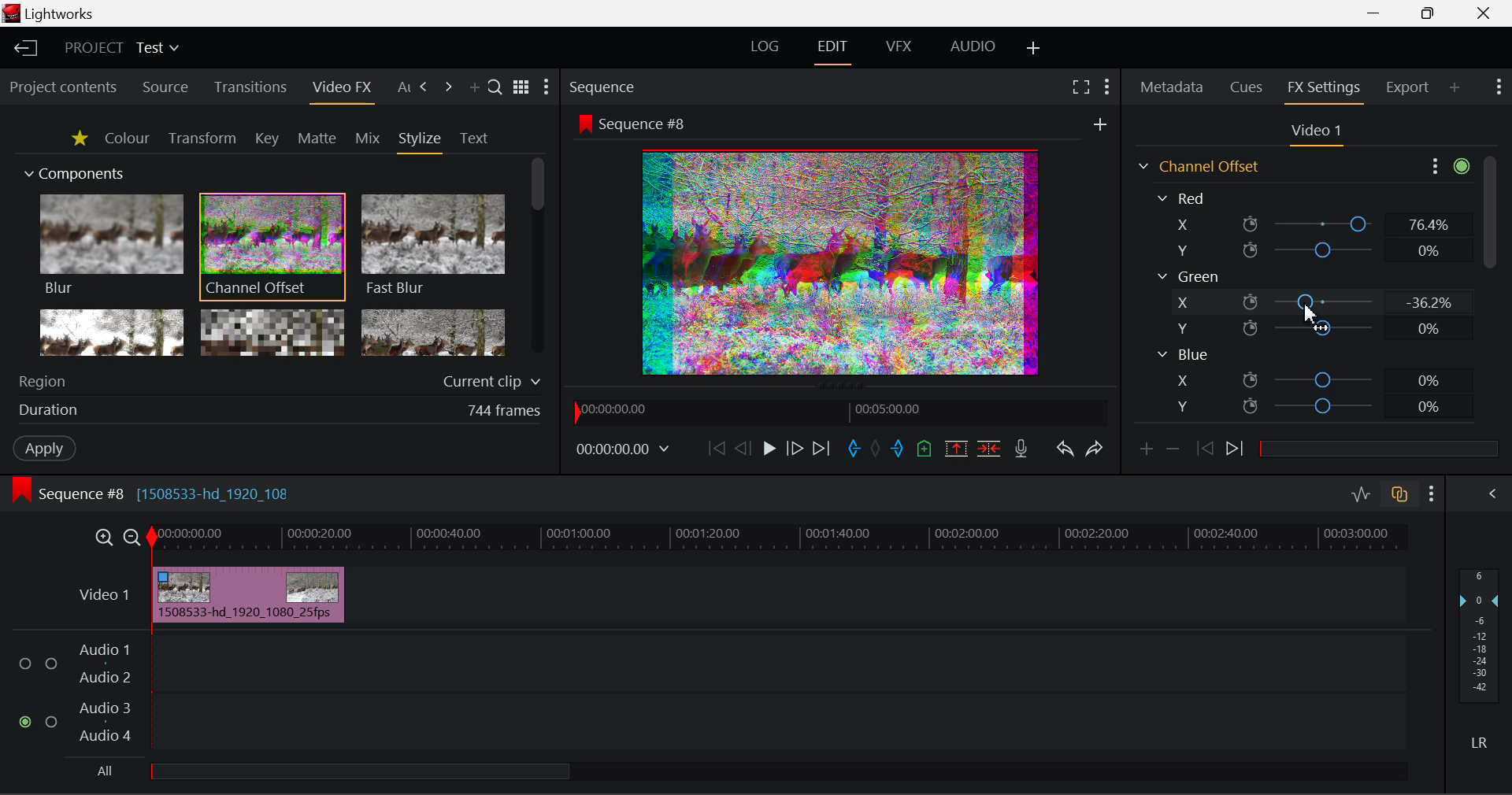  What do you see at coordinates (741, 449) in the screenshot?
I see `Go Back` at bounding box center [741, 449].